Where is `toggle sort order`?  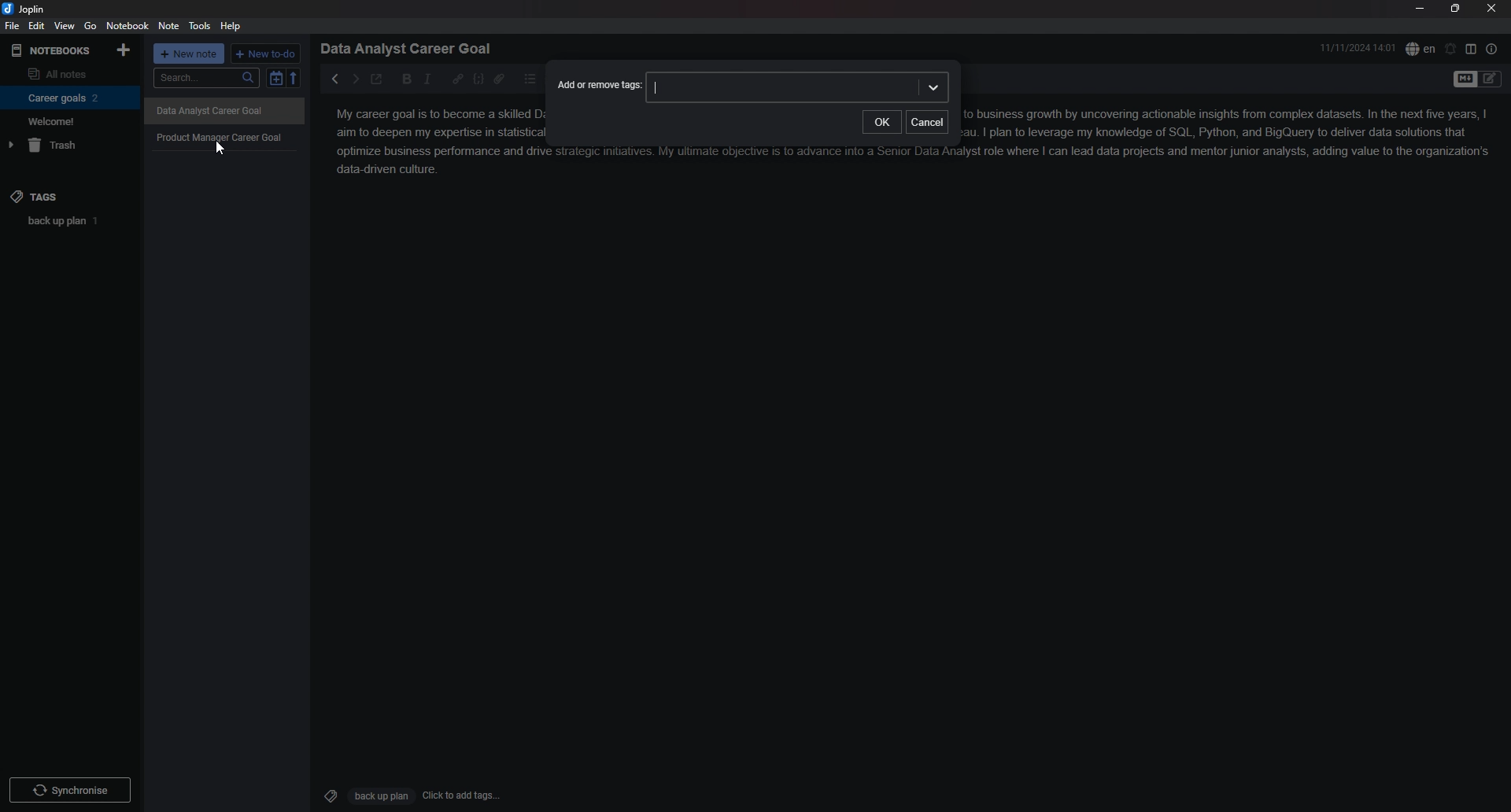 toggle sort order is located at coordinates (275, 78).